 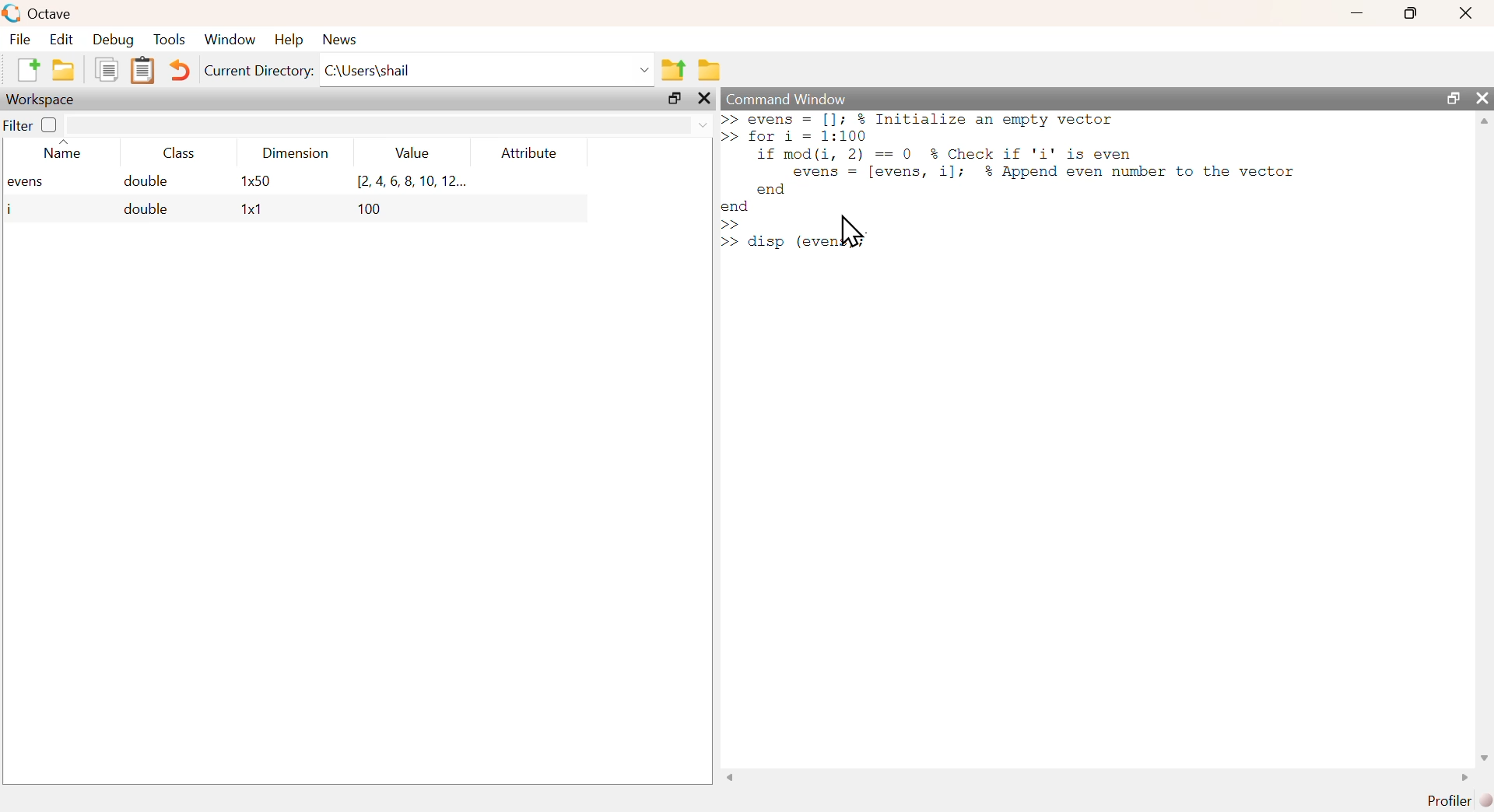 What do you see at coordinates (1011, 208) in the screenshot?
I see `commands` at bounding box center [1011, 208].